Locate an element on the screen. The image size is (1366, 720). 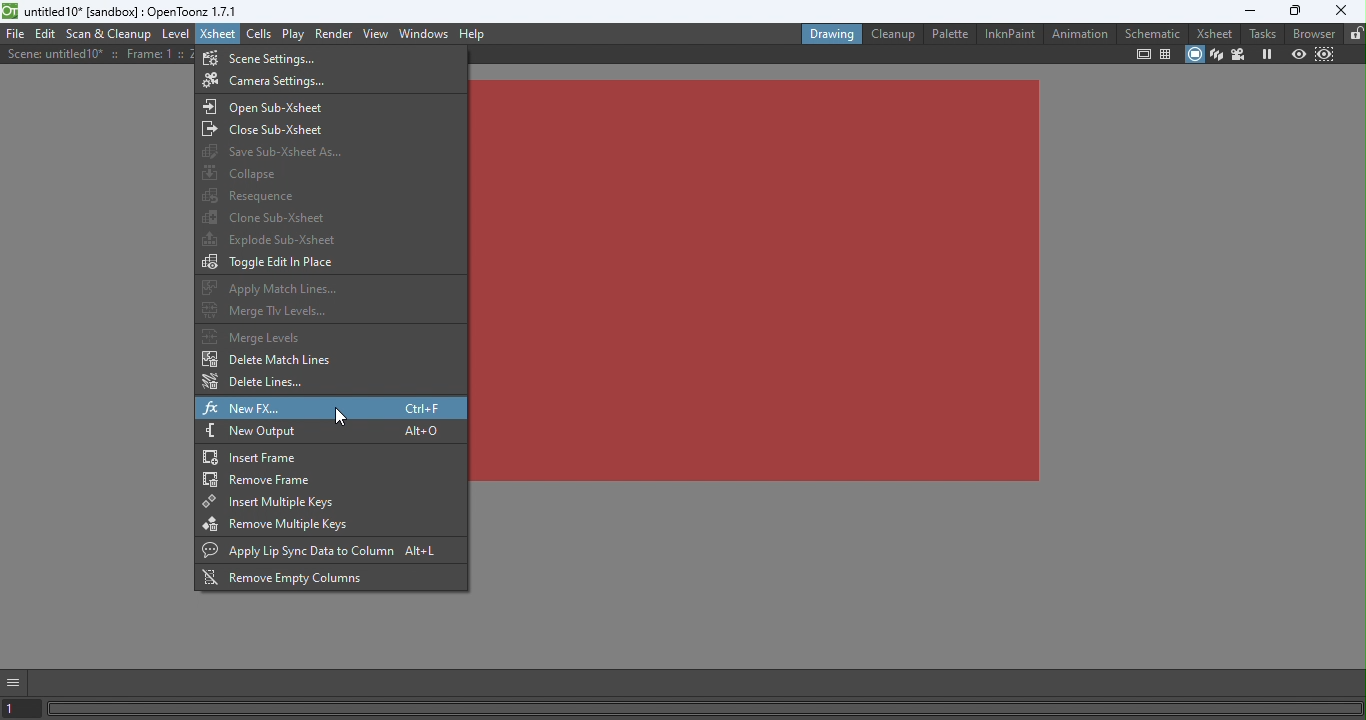
File is located at coordinates (15, 34).